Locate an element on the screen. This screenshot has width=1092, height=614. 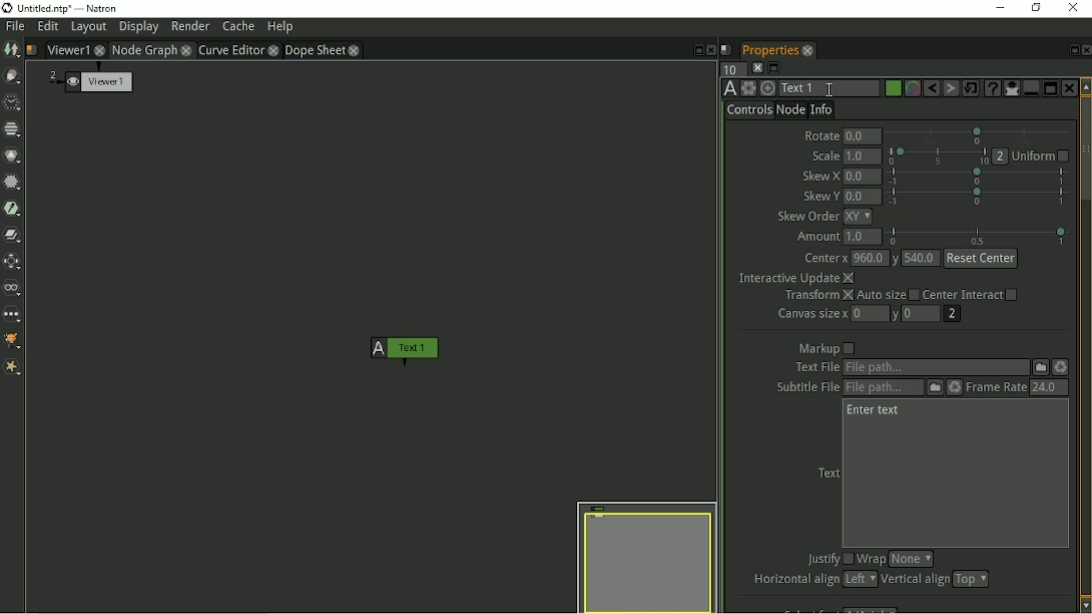
Filter is located at coordinates (12, 183).